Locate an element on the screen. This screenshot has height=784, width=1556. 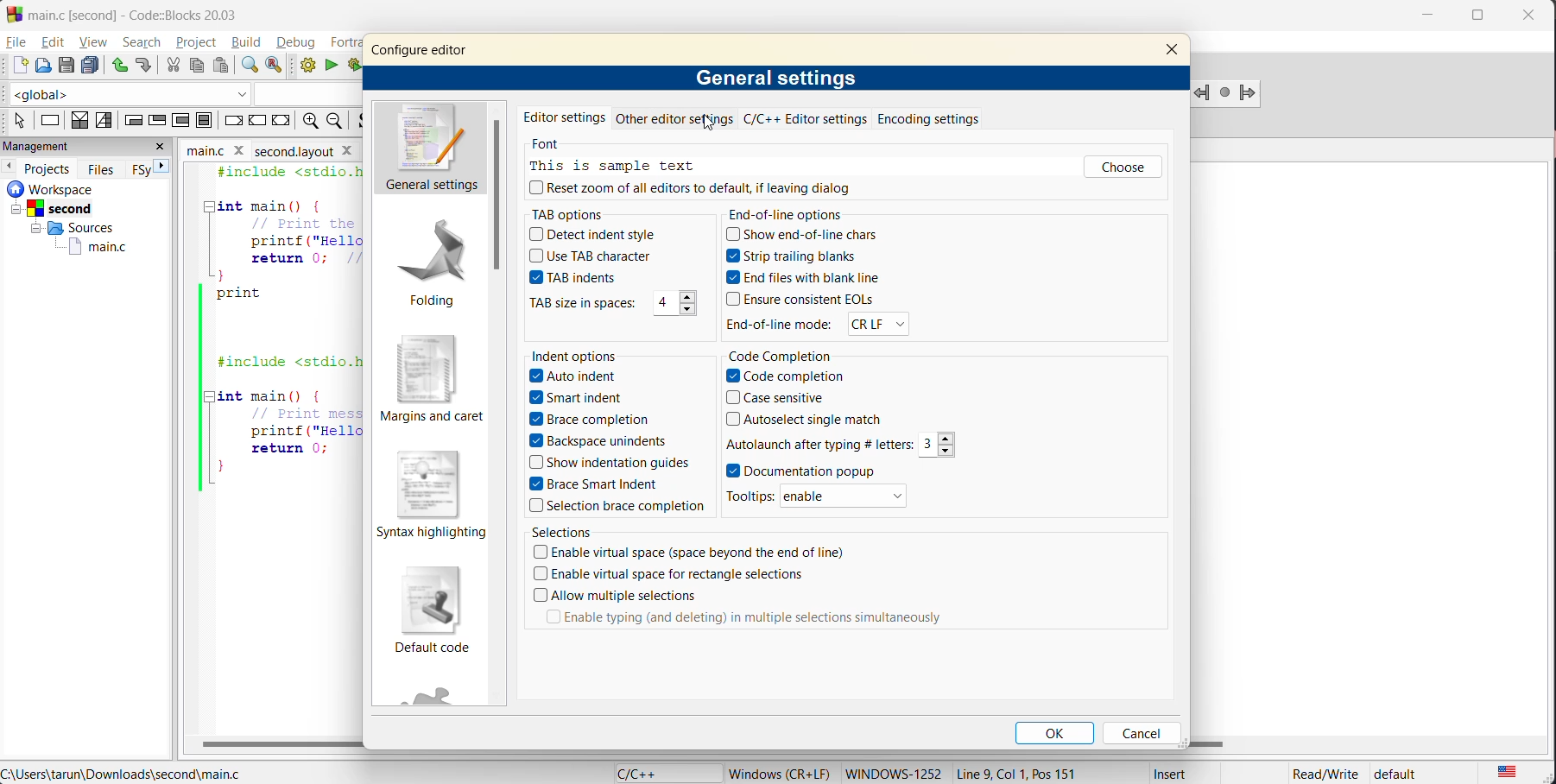
CR LF is located at coordinates (882, 324).